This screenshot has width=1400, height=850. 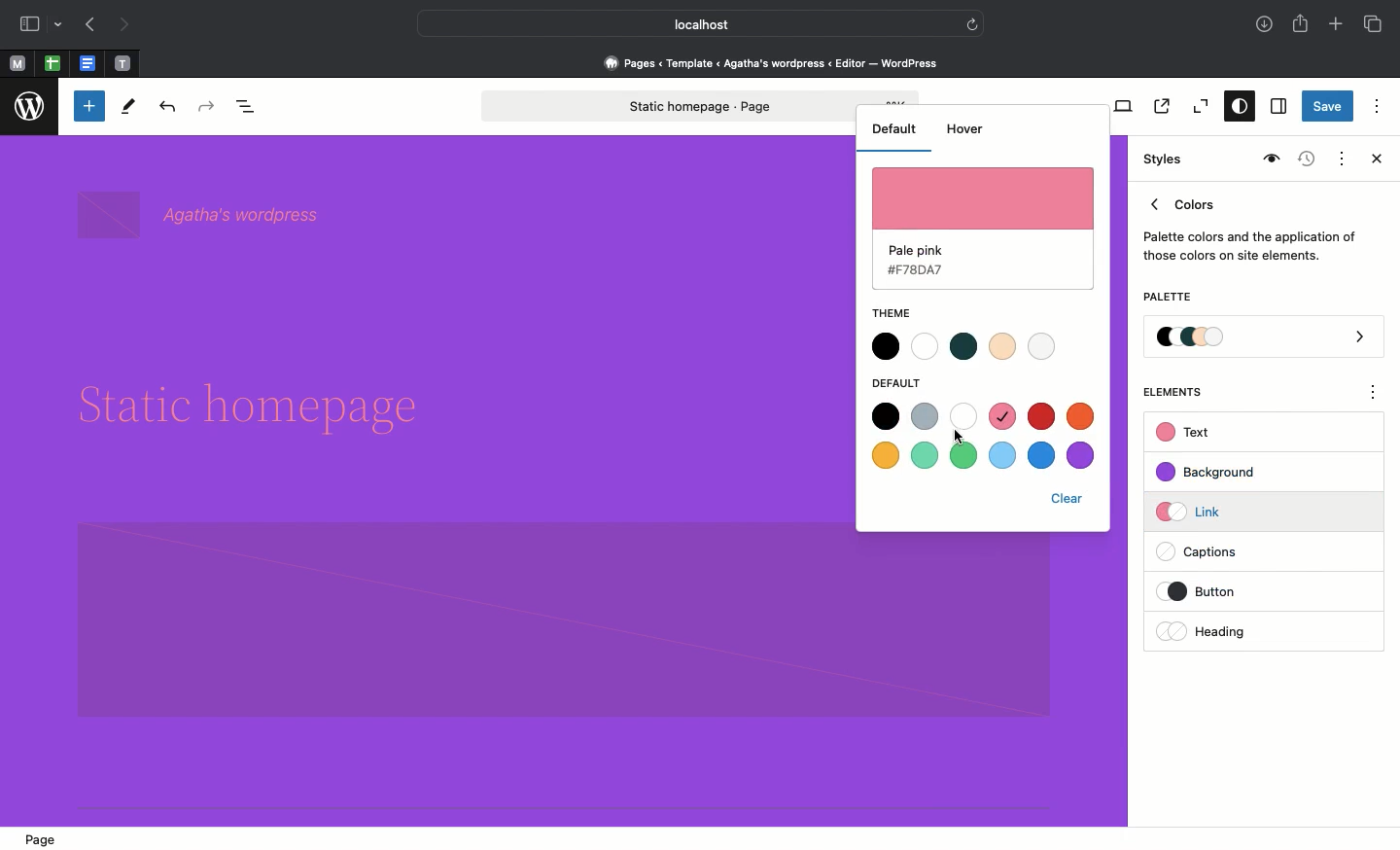 I want to click on Text, so click(x=1186, y=433).